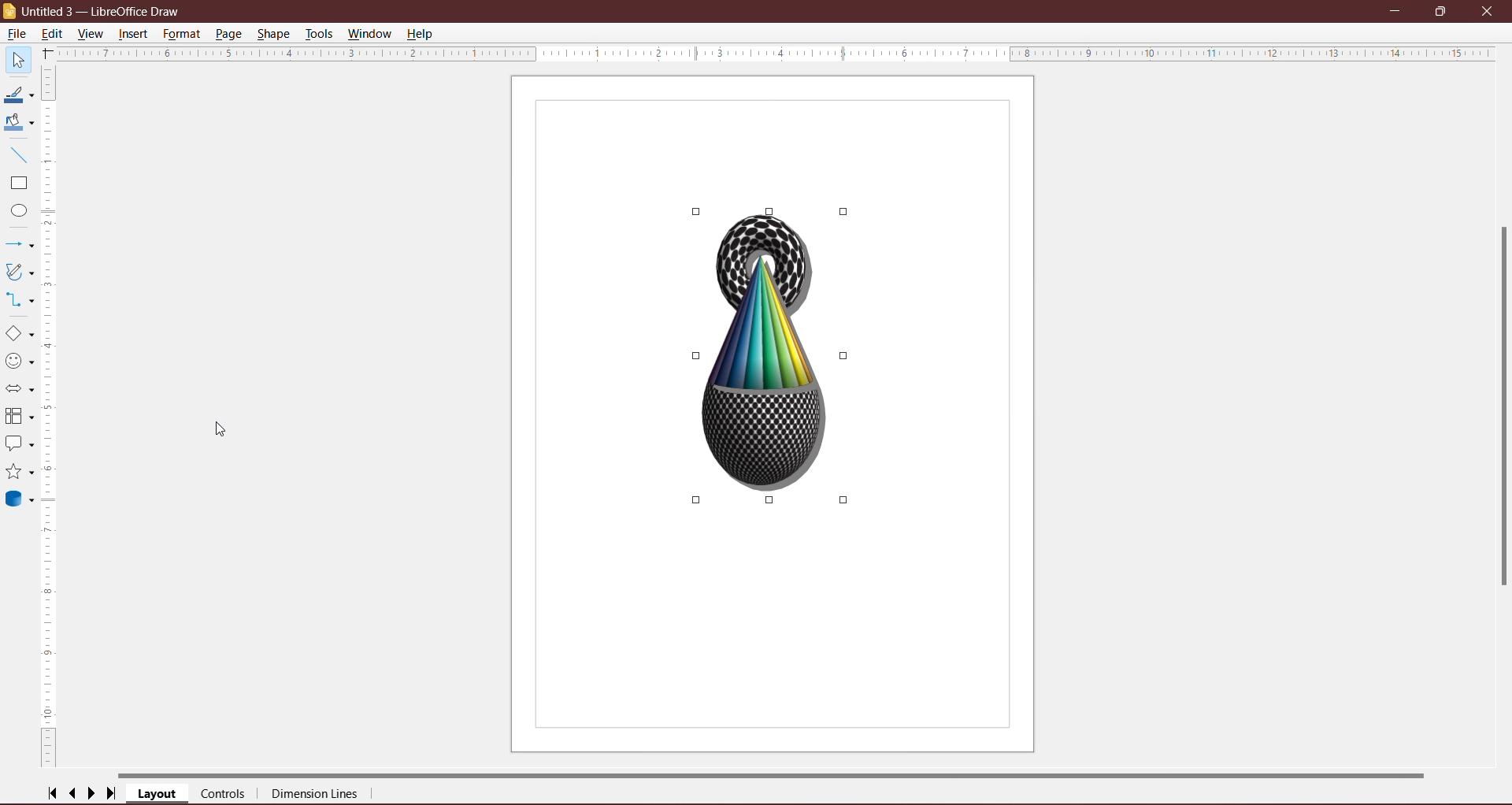 The image size is (1512, 805). I want to click on File, so click(18, 34).